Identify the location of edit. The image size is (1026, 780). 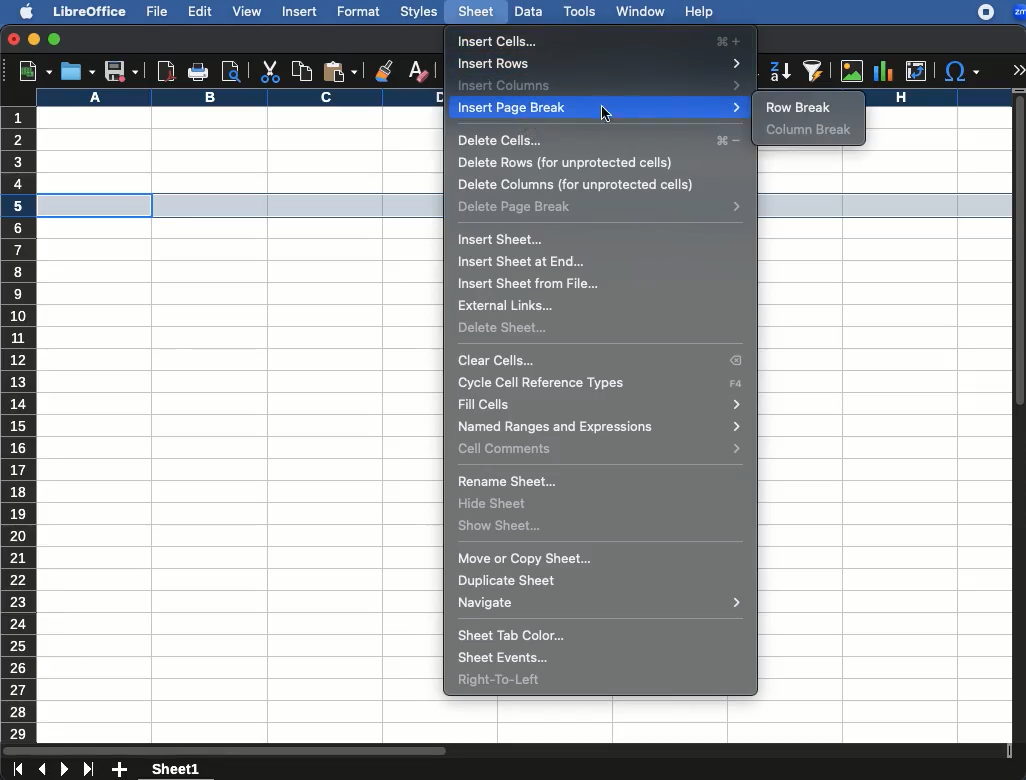
(199, 12).